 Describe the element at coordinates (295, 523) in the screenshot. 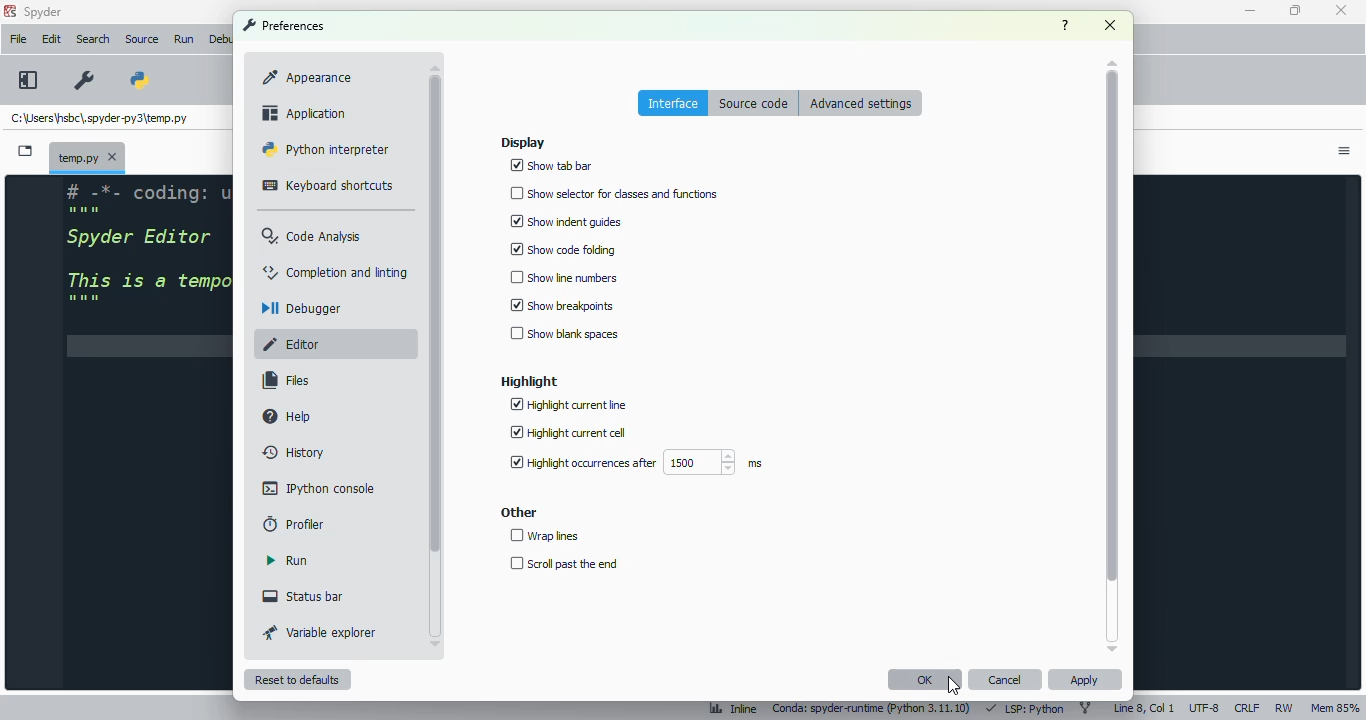

I see `profiler` at that location.